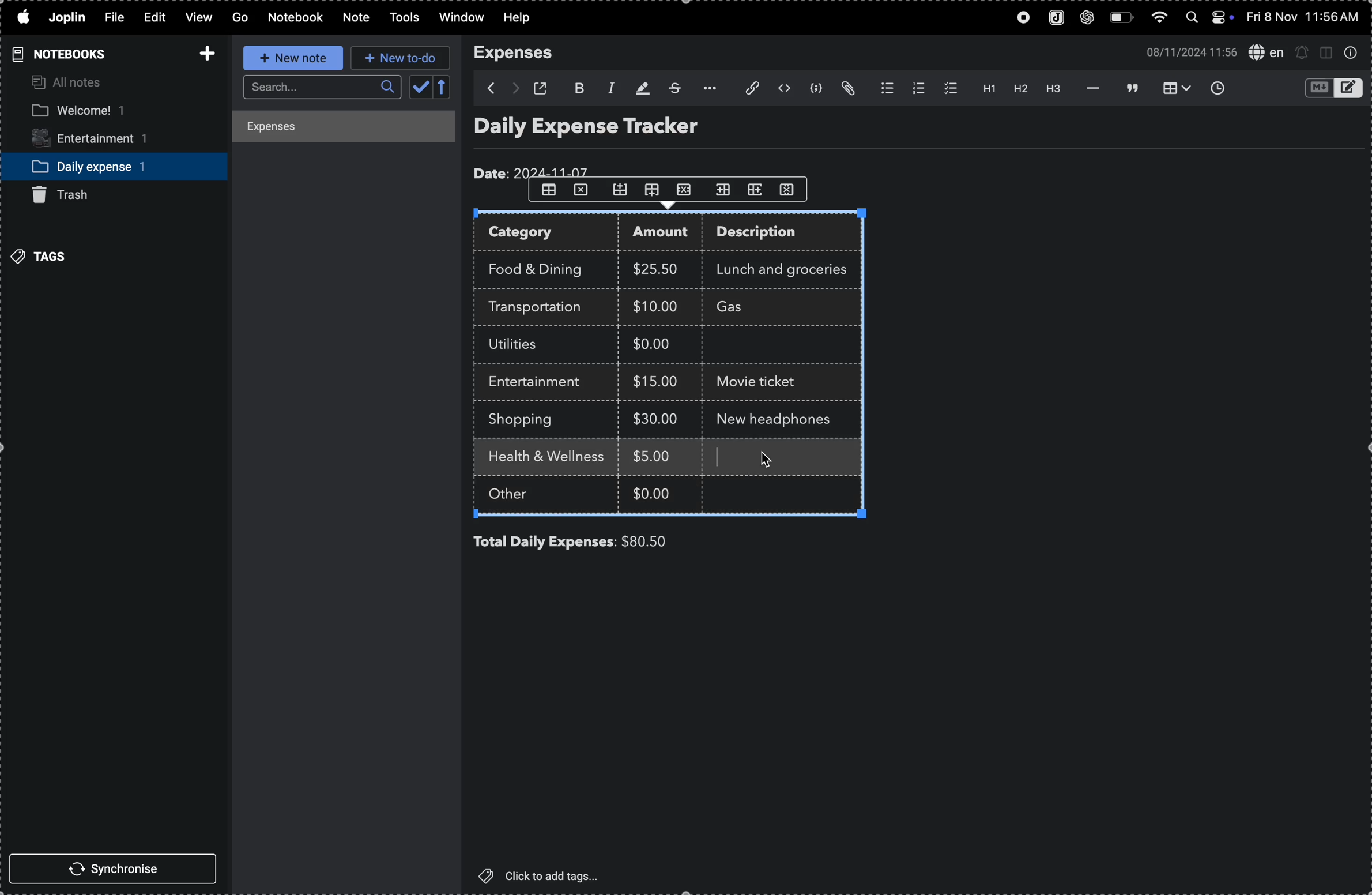  Describe the element at coordinates (534, 170) in the screenshot. I see `date` at that location.